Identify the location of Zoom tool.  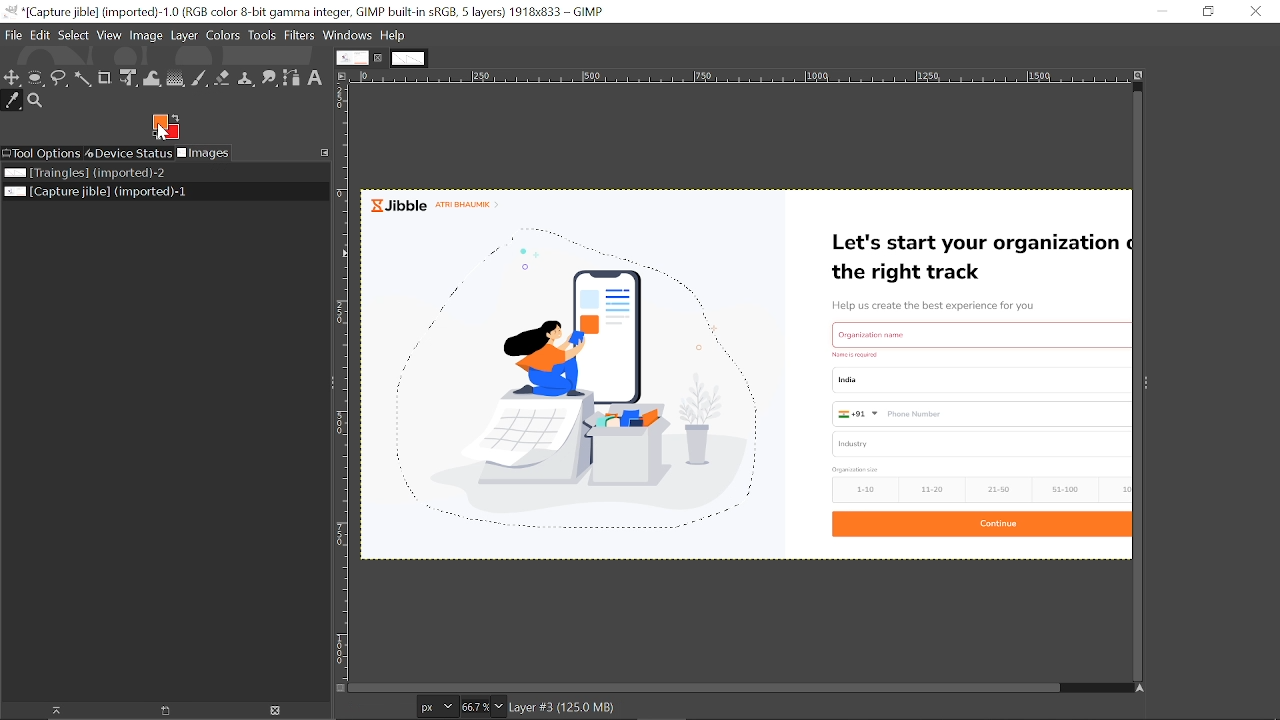
(35, 101).